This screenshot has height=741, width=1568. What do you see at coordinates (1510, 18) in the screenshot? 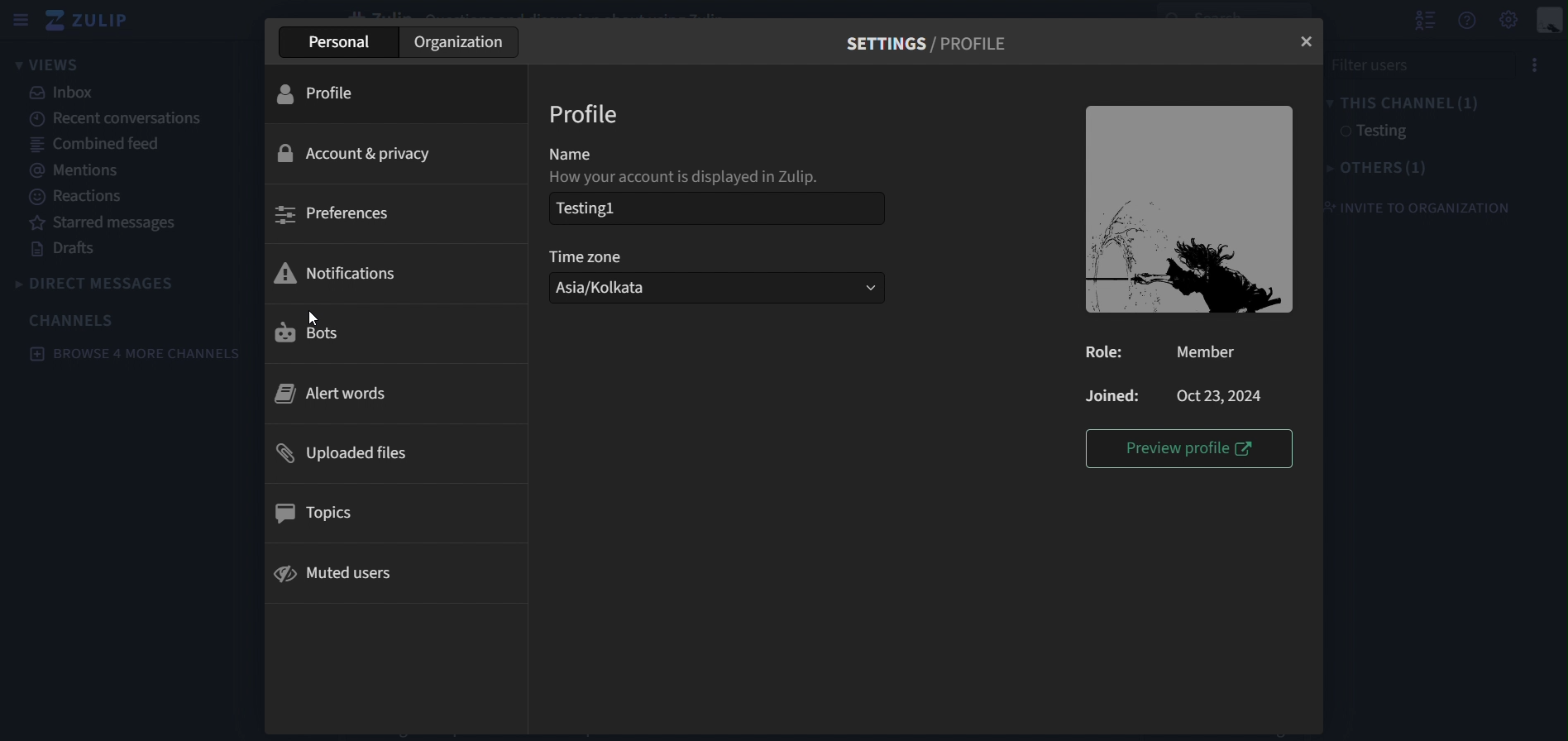
I see `settings` at bounding box center [1510, 18].